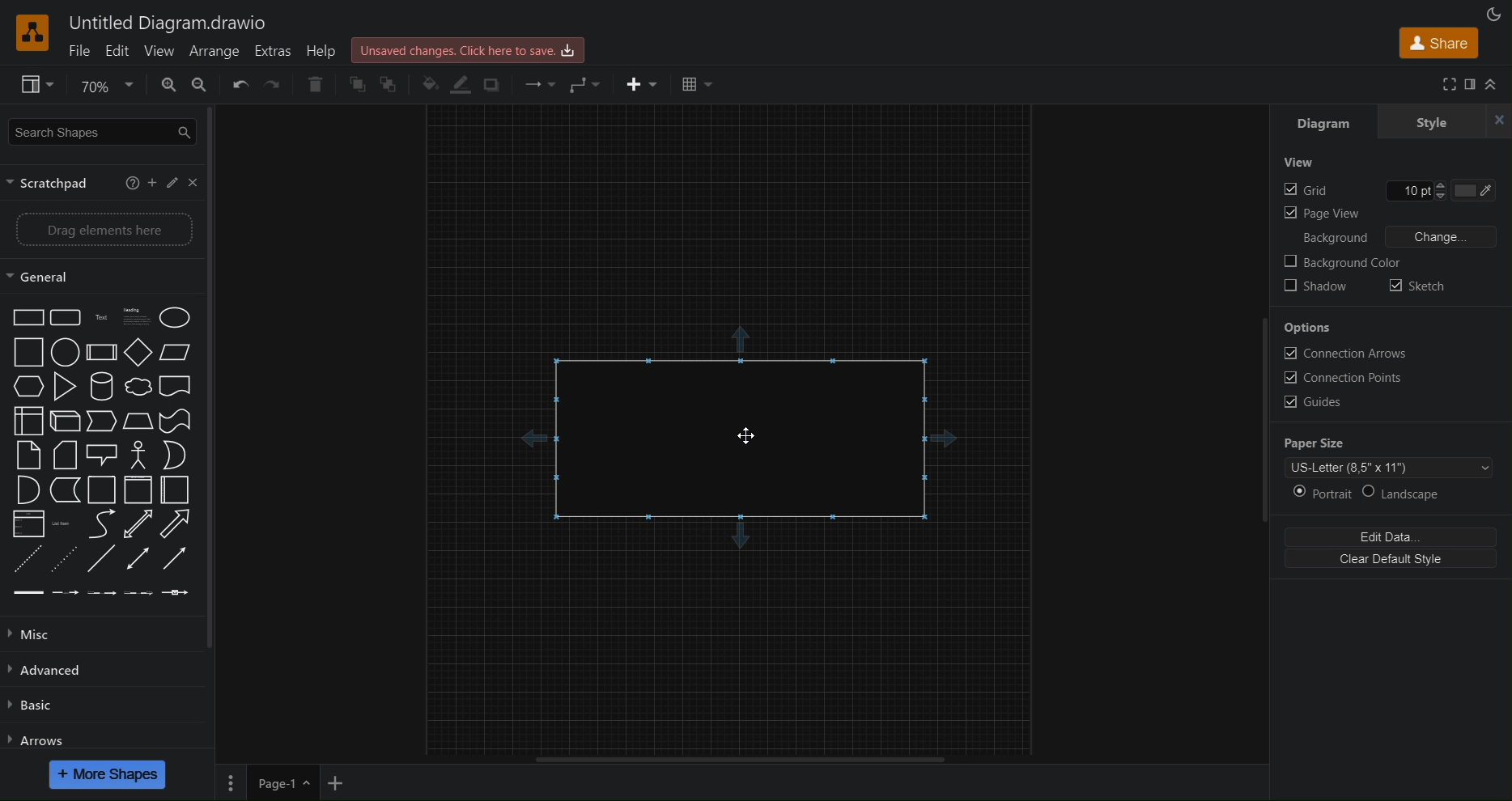  What do you see at coordinates (1412, 495) in the screenshot?
I see `Landscape` at bounding box center [1412, 495].